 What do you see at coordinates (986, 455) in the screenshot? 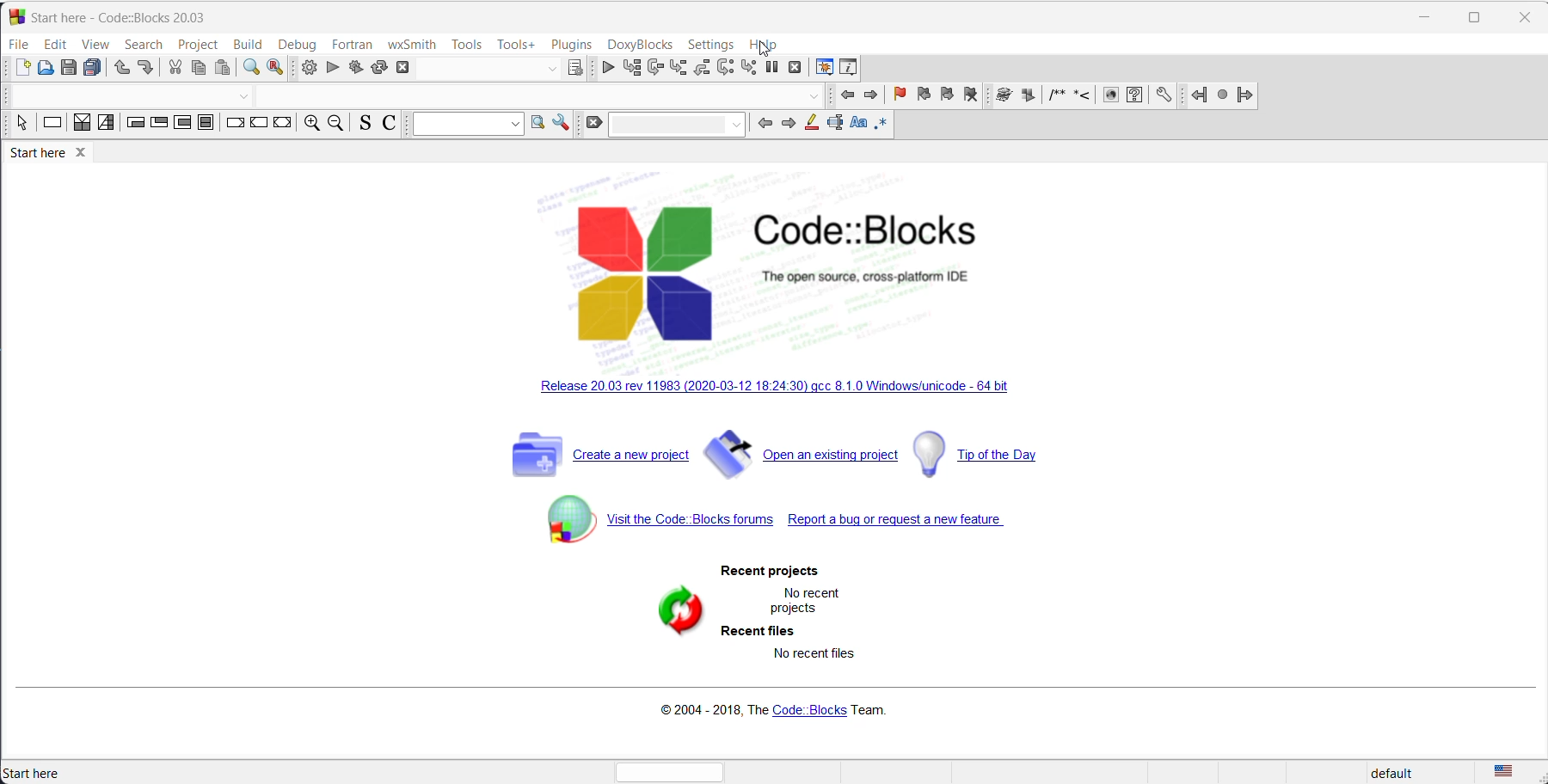
I see `tip of the day` at bounding box center [986, 455].